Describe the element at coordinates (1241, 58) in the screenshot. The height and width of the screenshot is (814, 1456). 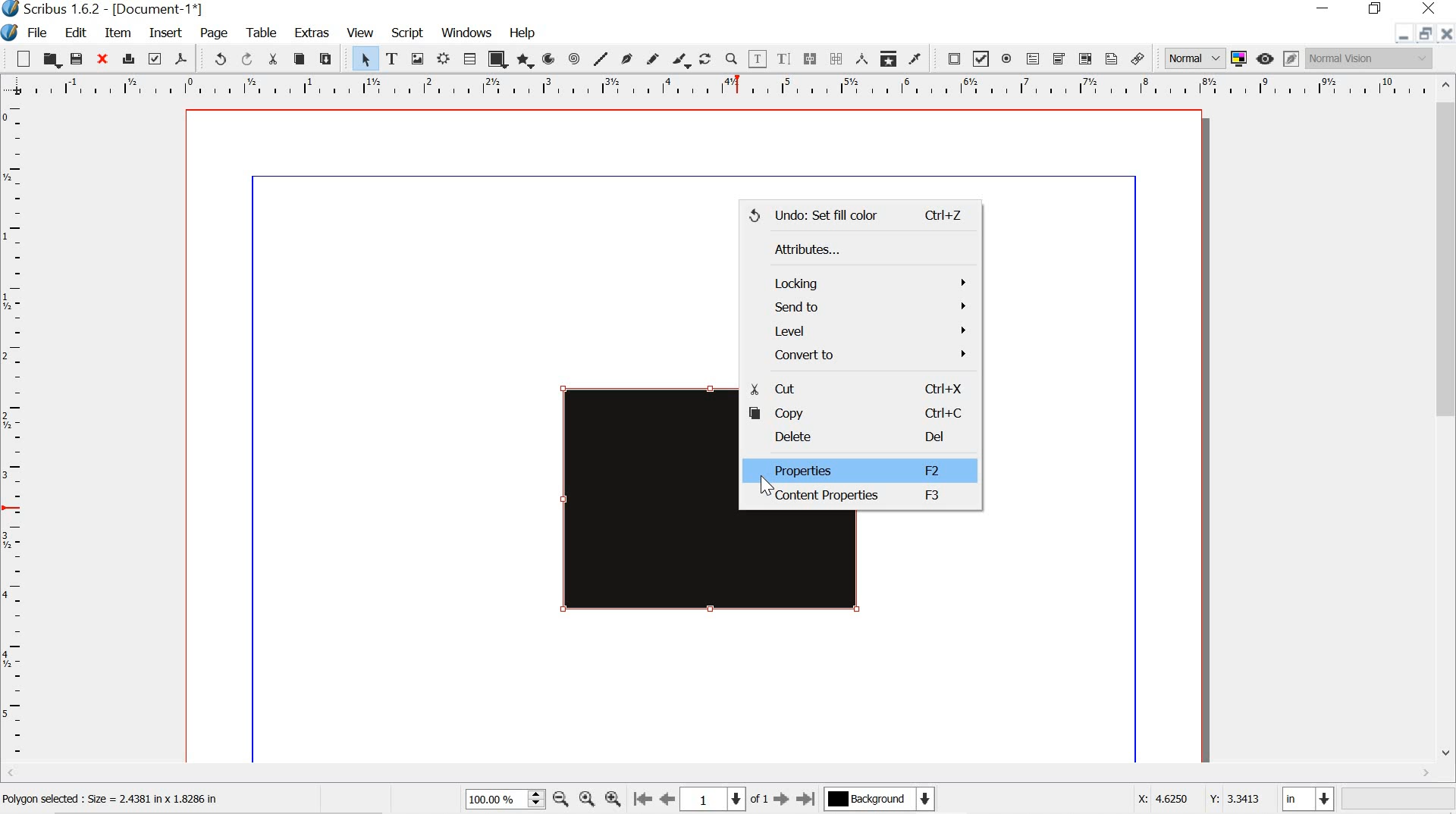
I see `toggle color management system` at that location.